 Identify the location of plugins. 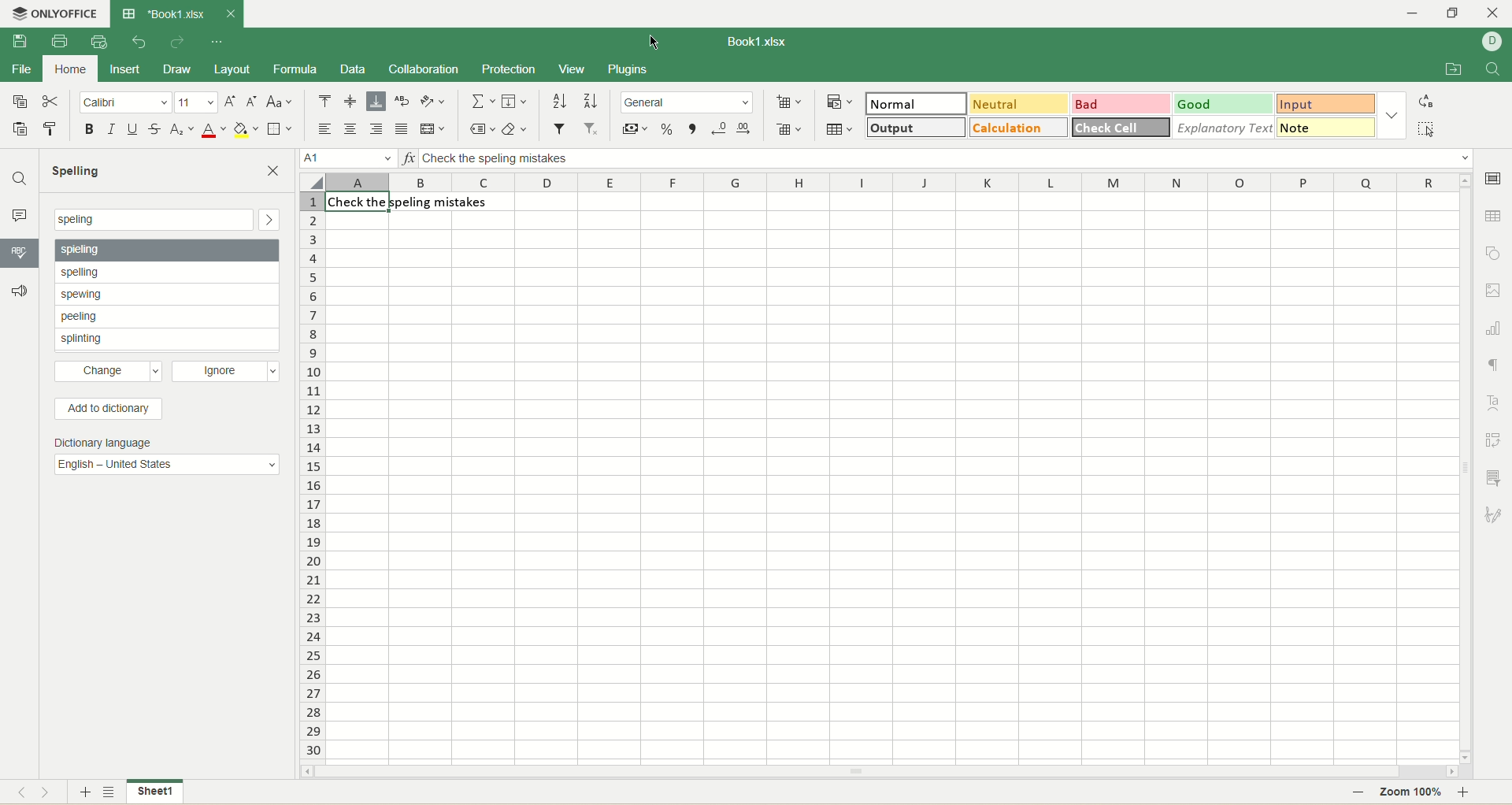
(631, 69).